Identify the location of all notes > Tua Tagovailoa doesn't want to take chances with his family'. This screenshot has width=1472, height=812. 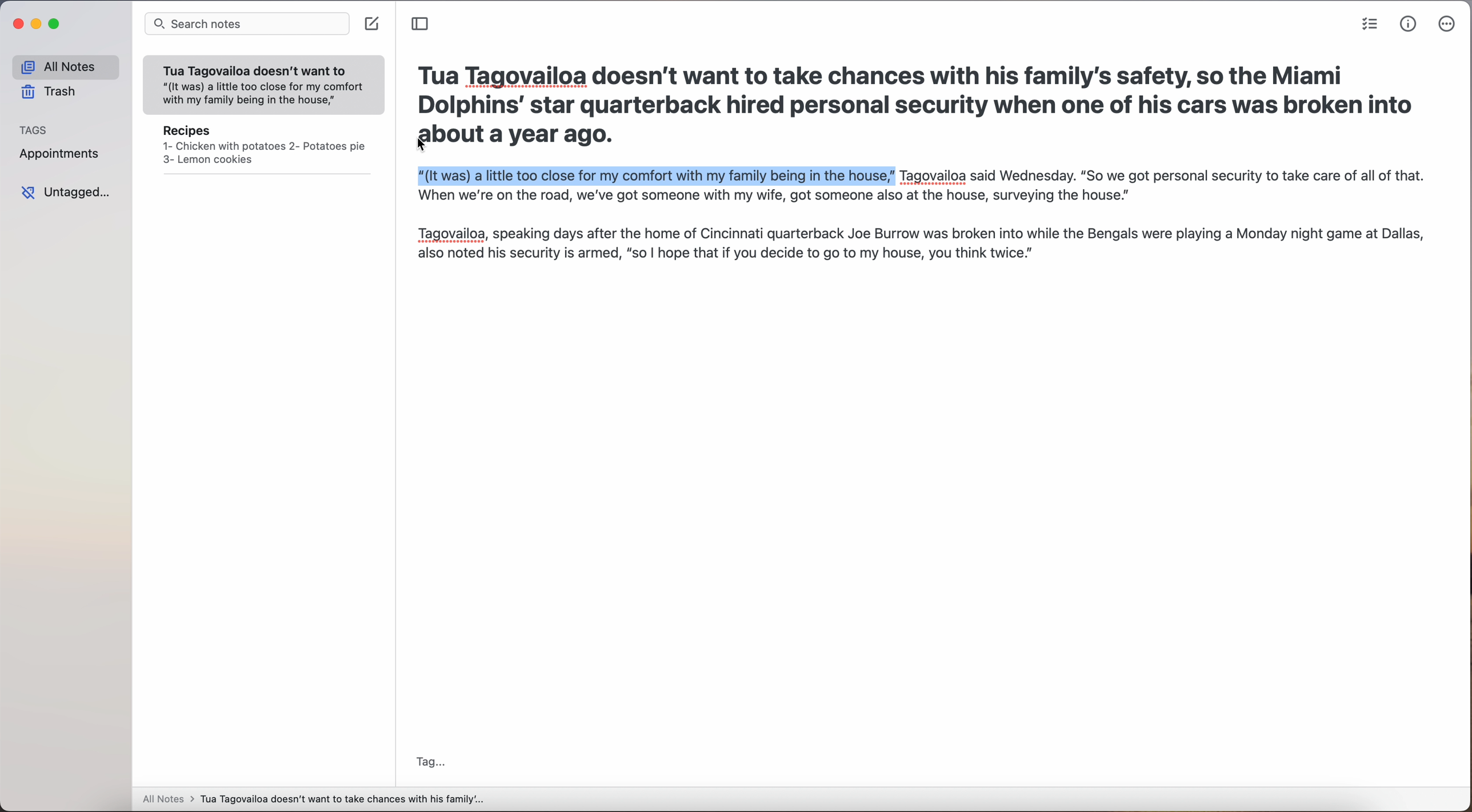
(314, 801).